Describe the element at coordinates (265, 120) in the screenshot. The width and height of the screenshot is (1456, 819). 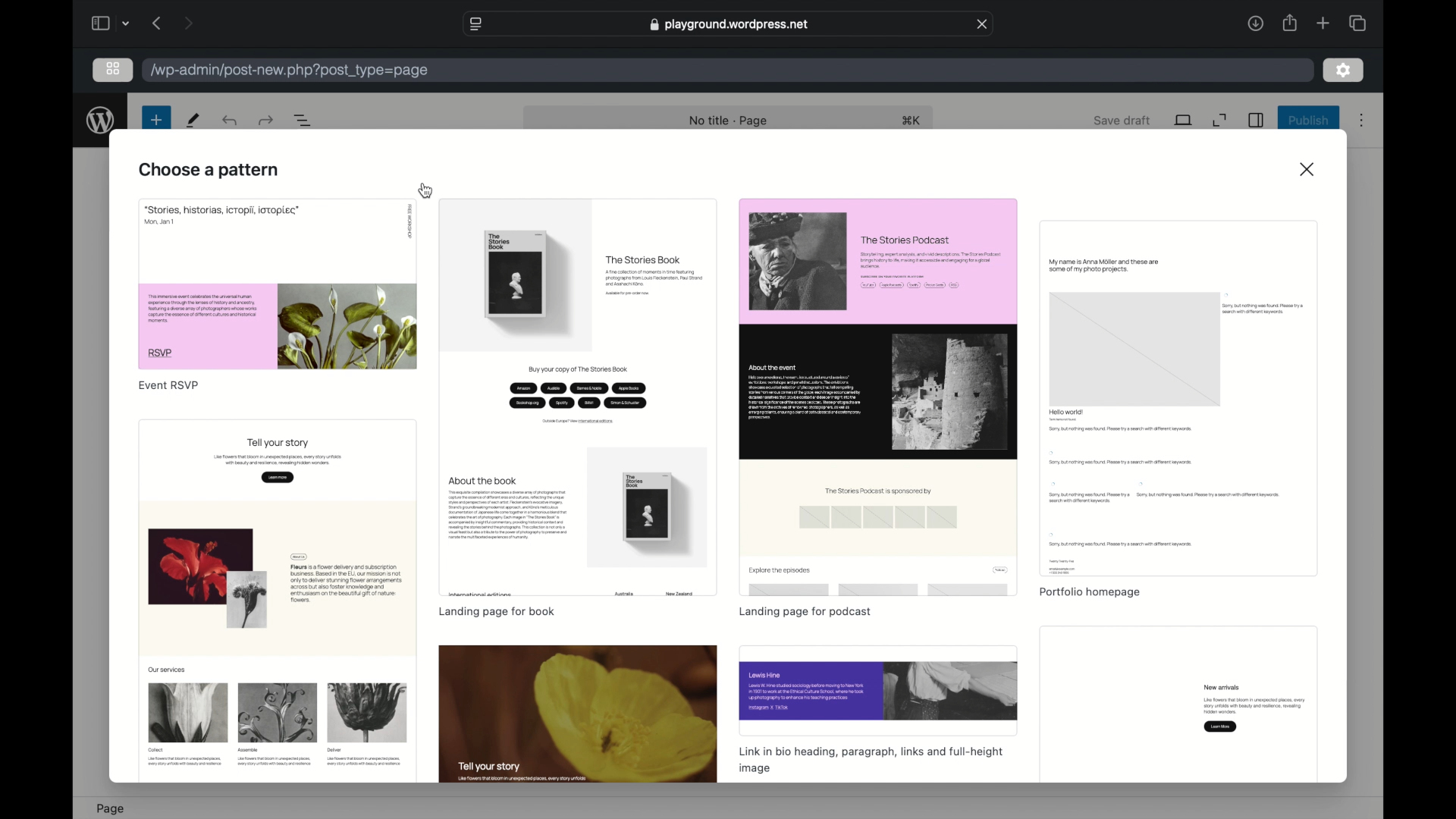
I see `undo` at that location.